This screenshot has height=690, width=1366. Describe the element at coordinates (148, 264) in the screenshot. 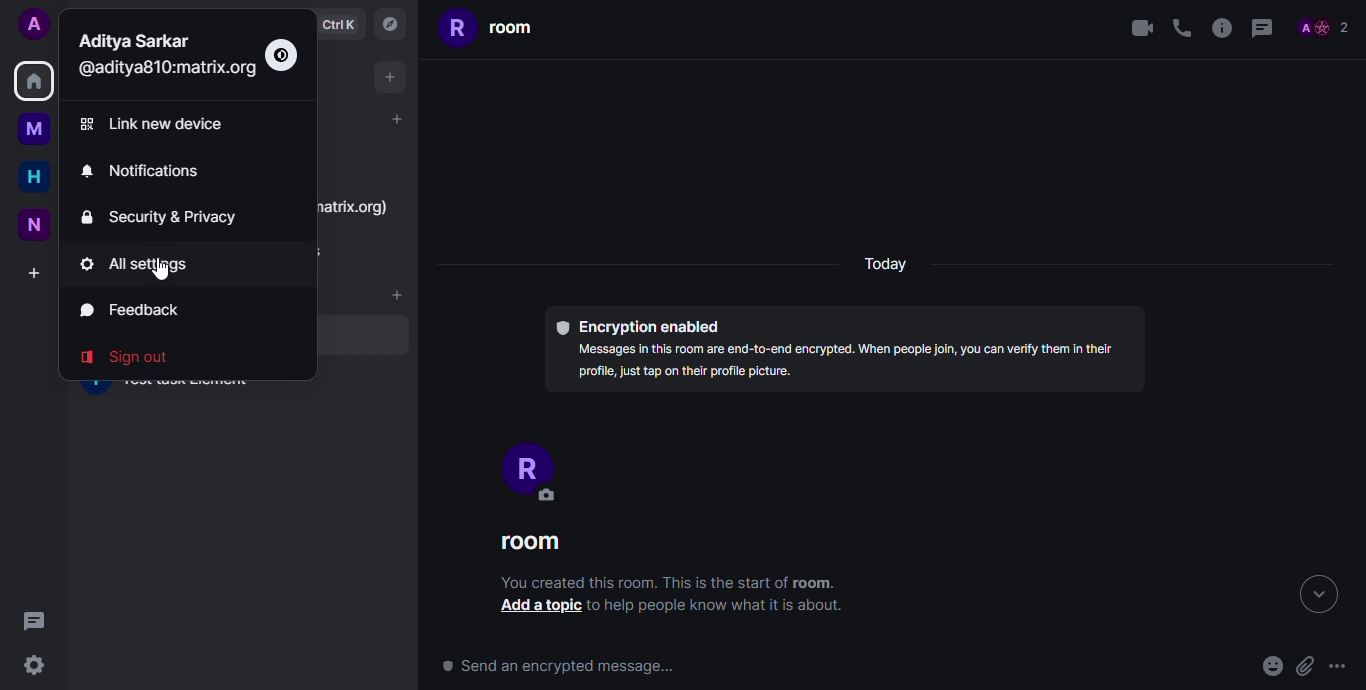

I see `all settings` at that location.